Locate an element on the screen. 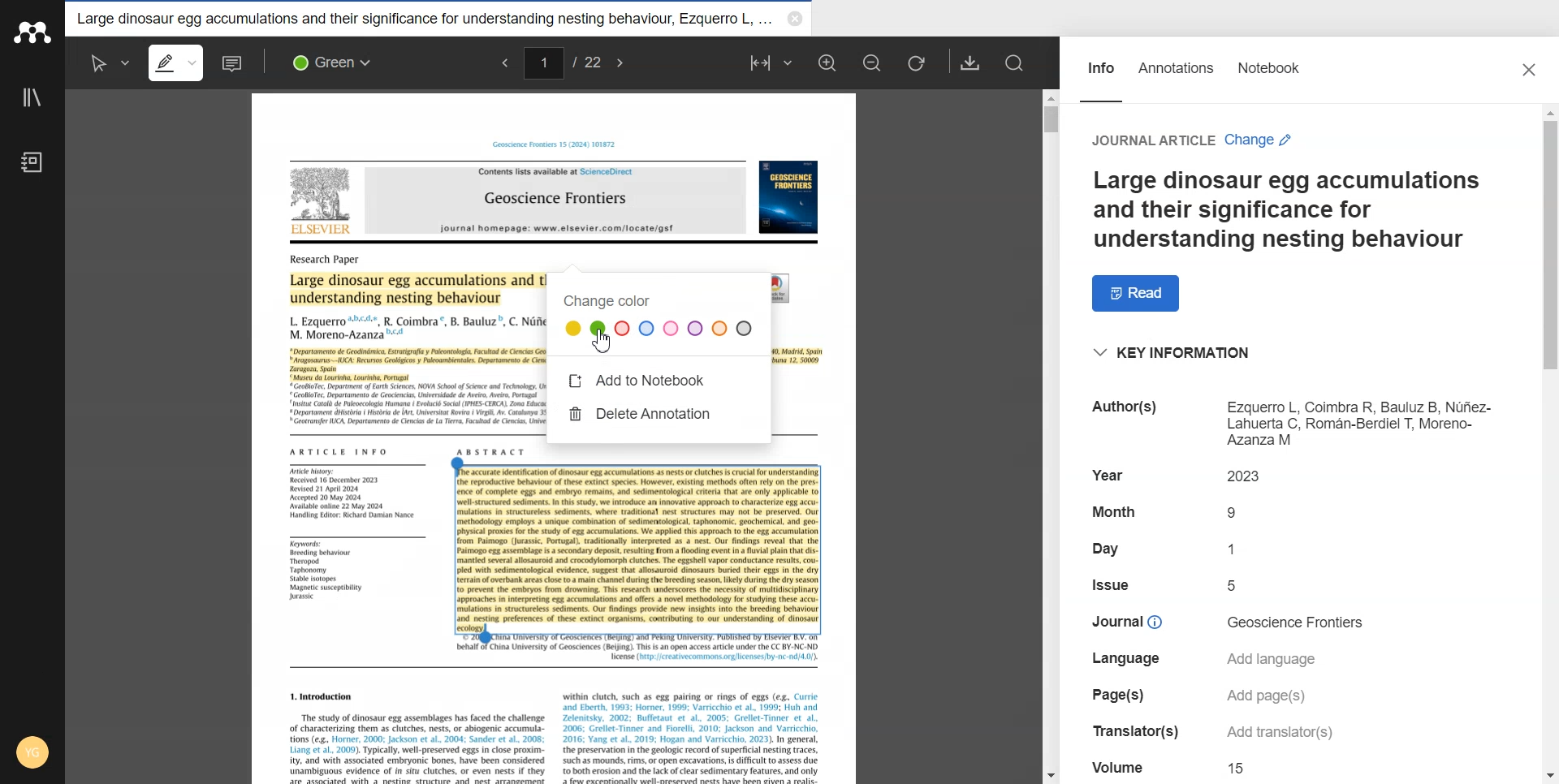  Text is located at coordinates (1285, 213).